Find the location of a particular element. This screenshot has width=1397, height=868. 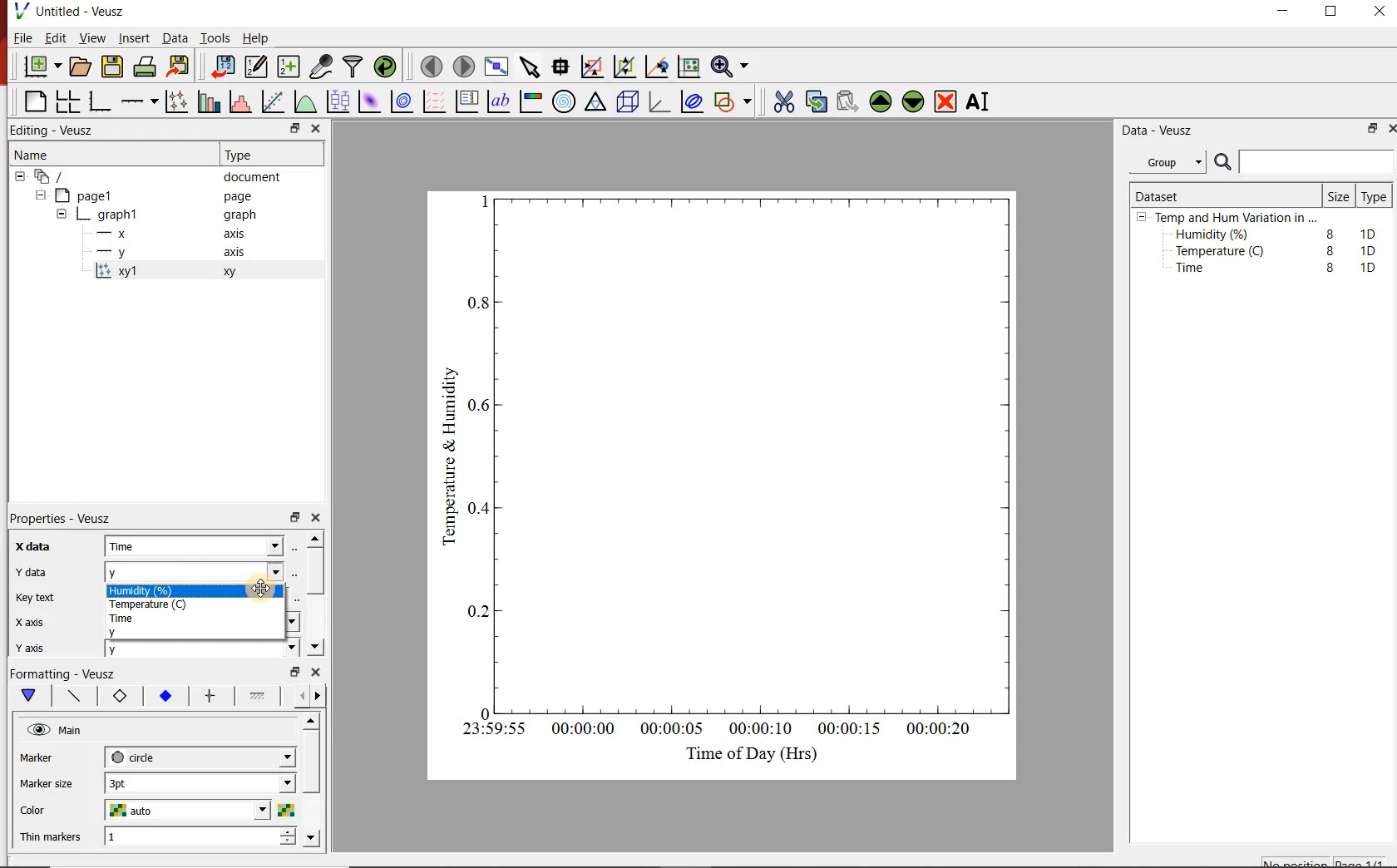

Type is located at coordinates (1375, 198).